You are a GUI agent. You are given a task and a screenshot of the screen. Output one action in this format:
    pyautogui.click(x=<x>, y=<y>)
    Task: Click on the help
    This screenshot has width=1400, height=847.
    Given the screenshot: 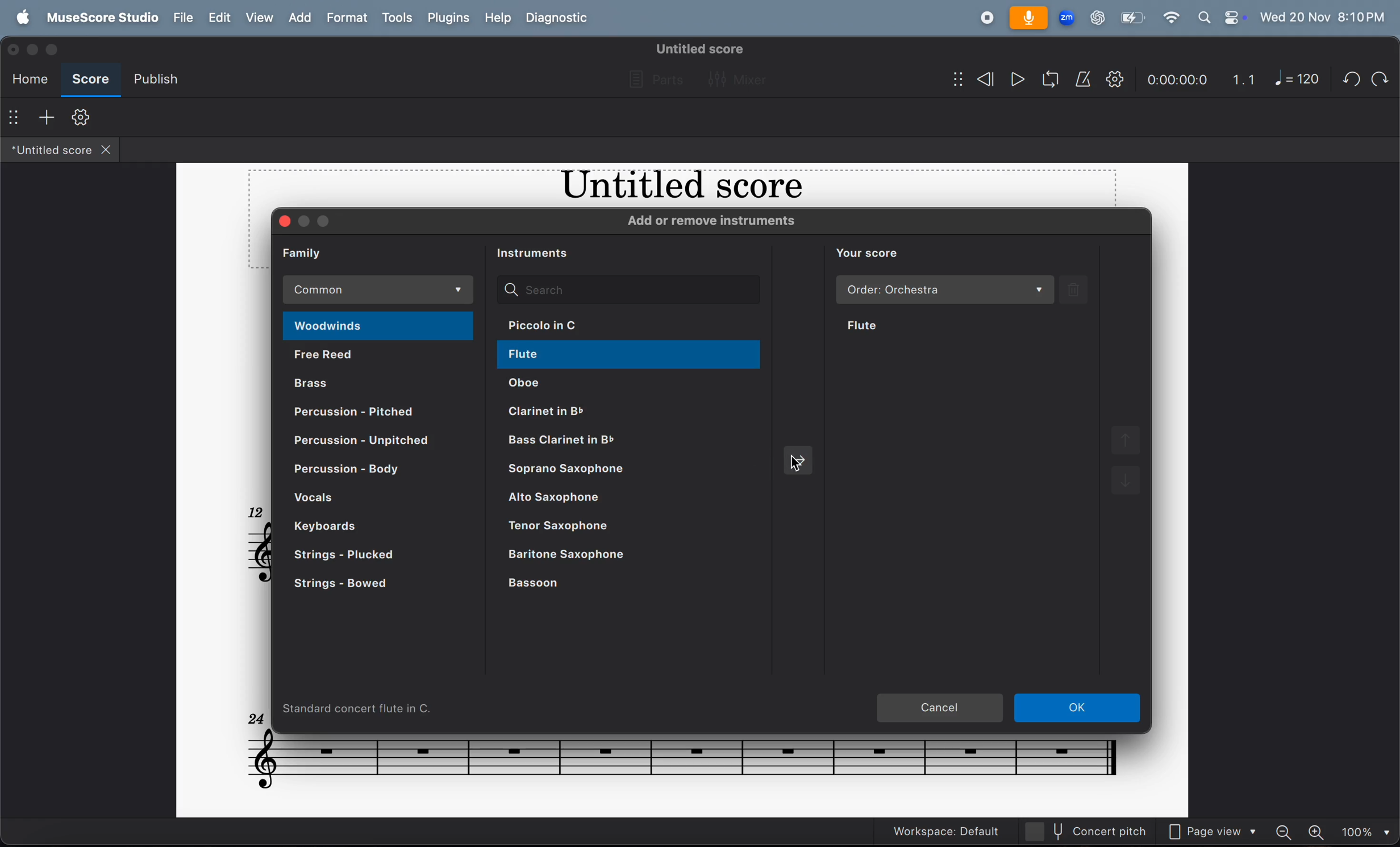 What is the action you would take?
    pyautogui.click(x=501, y=18)
    